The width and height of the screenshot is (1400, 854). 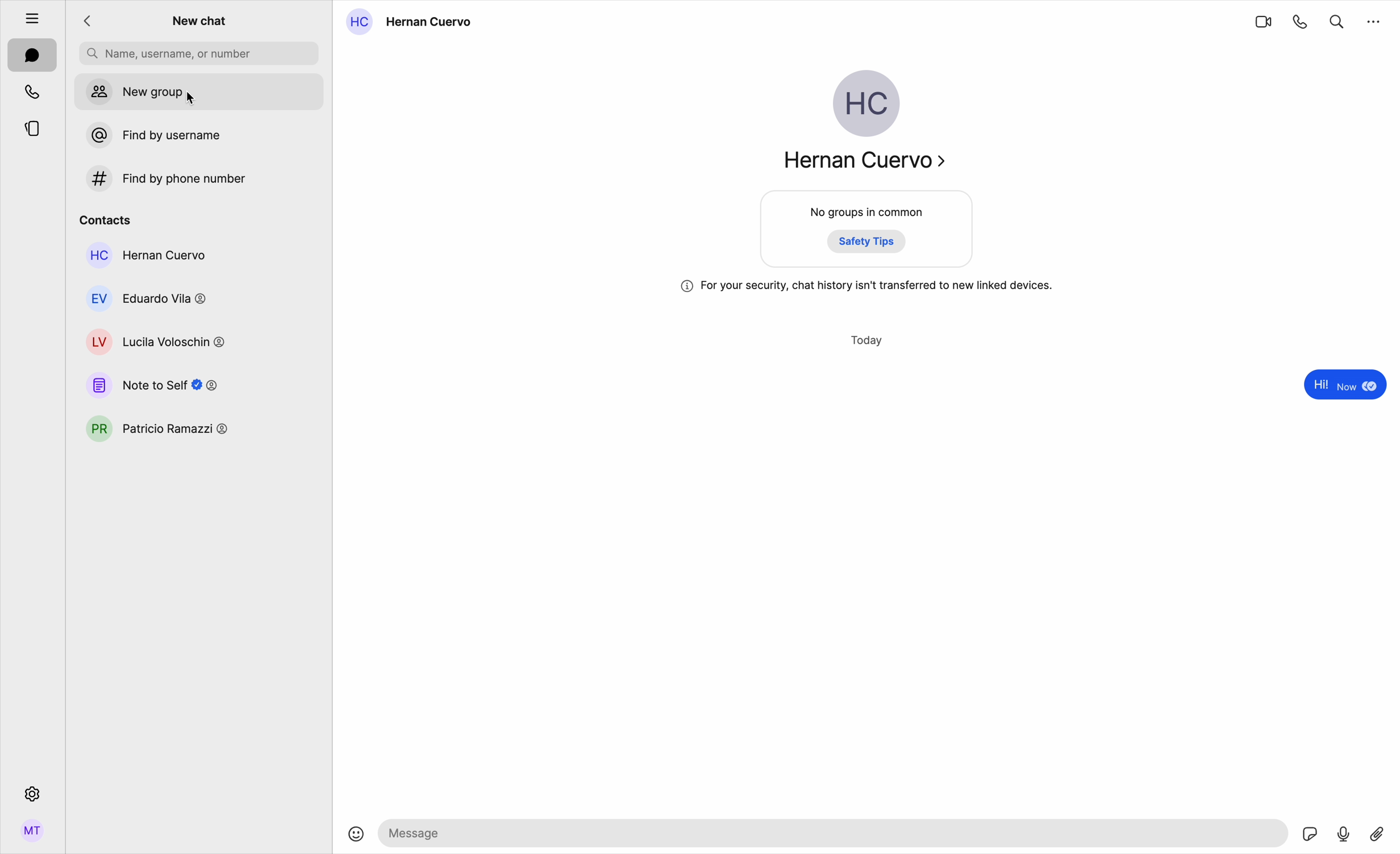 I want to click on emoji, so click(x=356, y=835).